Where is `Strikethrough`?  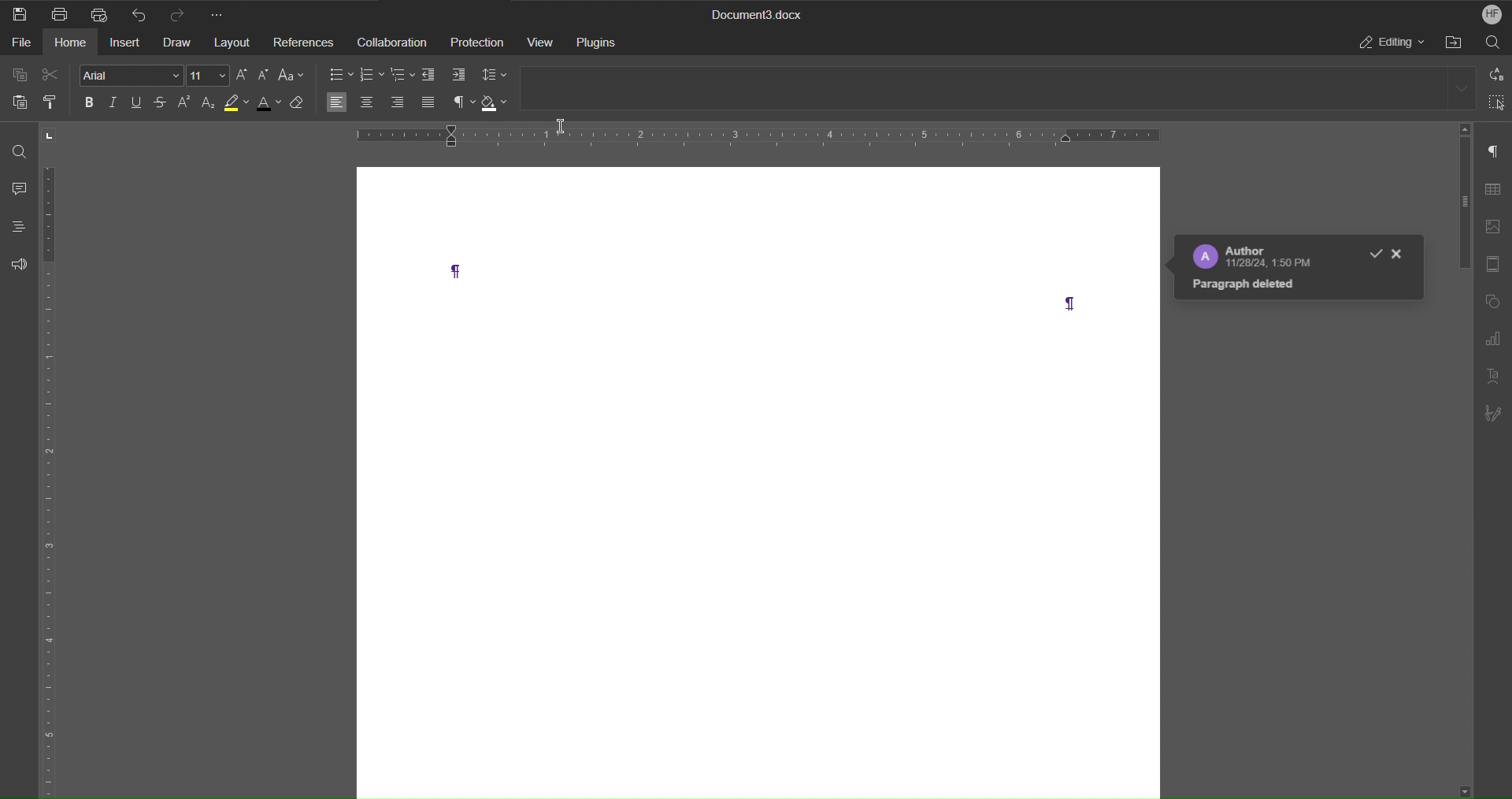
Strikethrough is located at coordinates (164, 102).